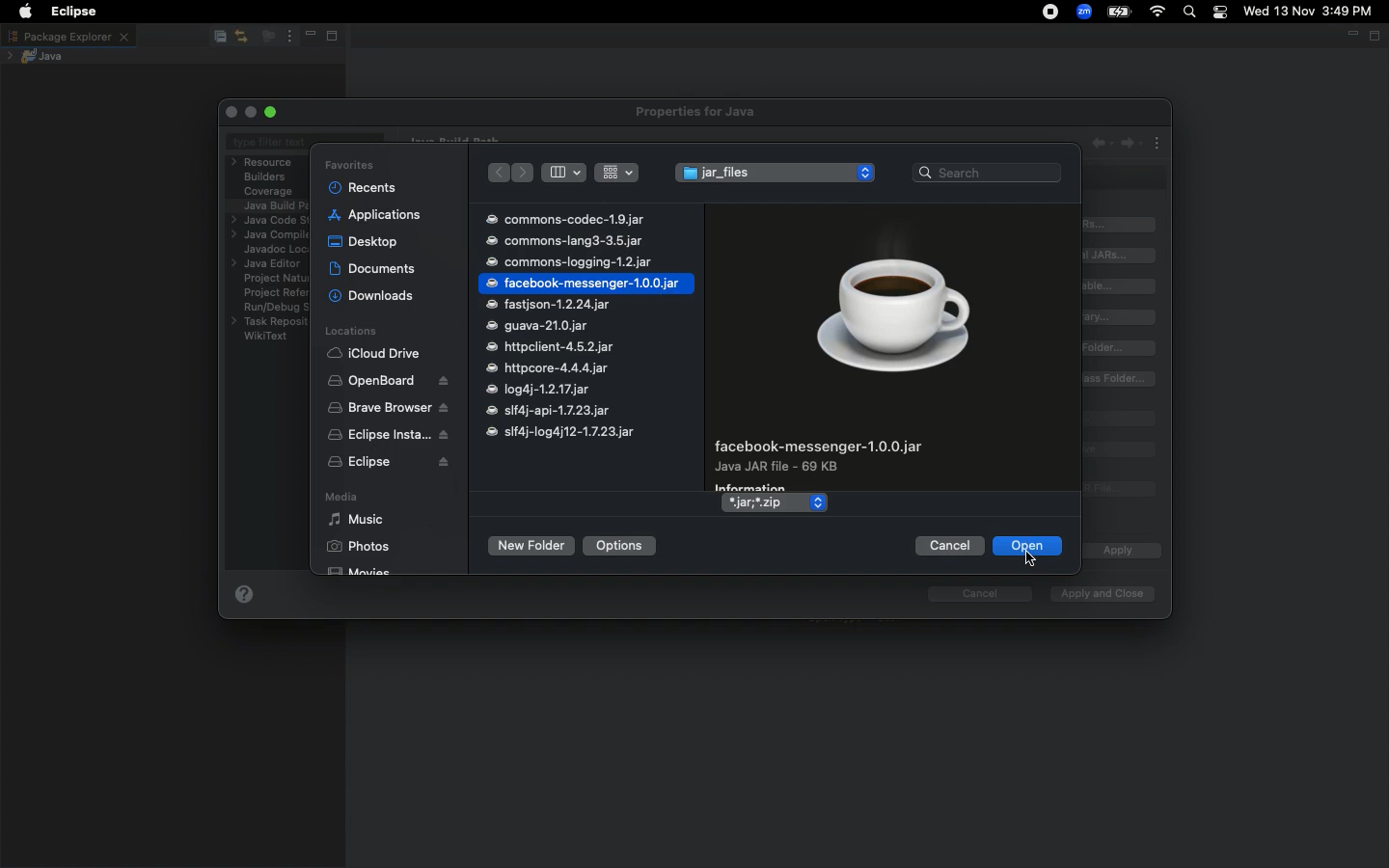 The width and height of the screenshot is (1389, 868). I want to click on Back, so click(497, 174).